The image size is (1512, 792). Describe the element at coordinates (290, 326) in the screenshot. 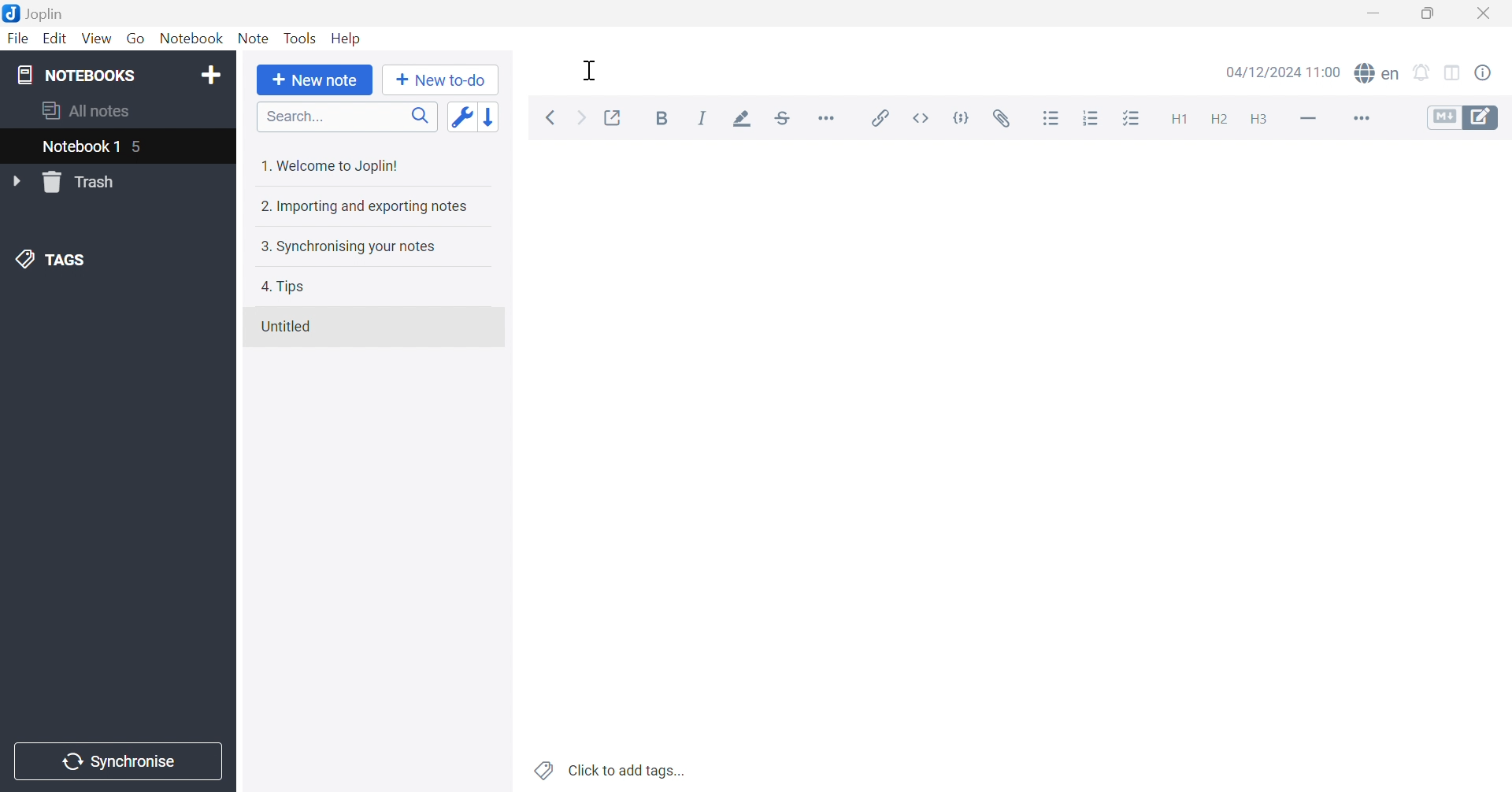

I see `Untitled` at that location.